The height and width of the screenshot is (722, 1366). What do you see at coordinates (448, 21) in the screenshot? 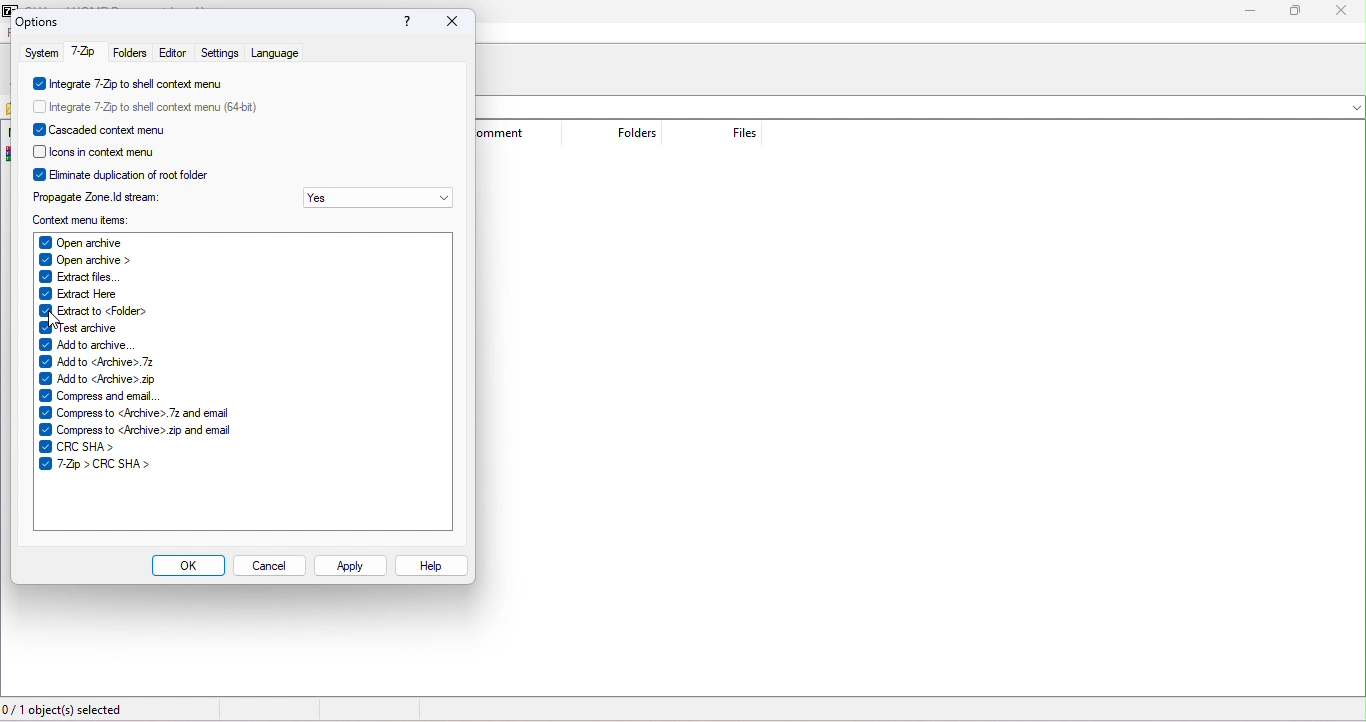
I see `close` at bounding box center [448, 21].